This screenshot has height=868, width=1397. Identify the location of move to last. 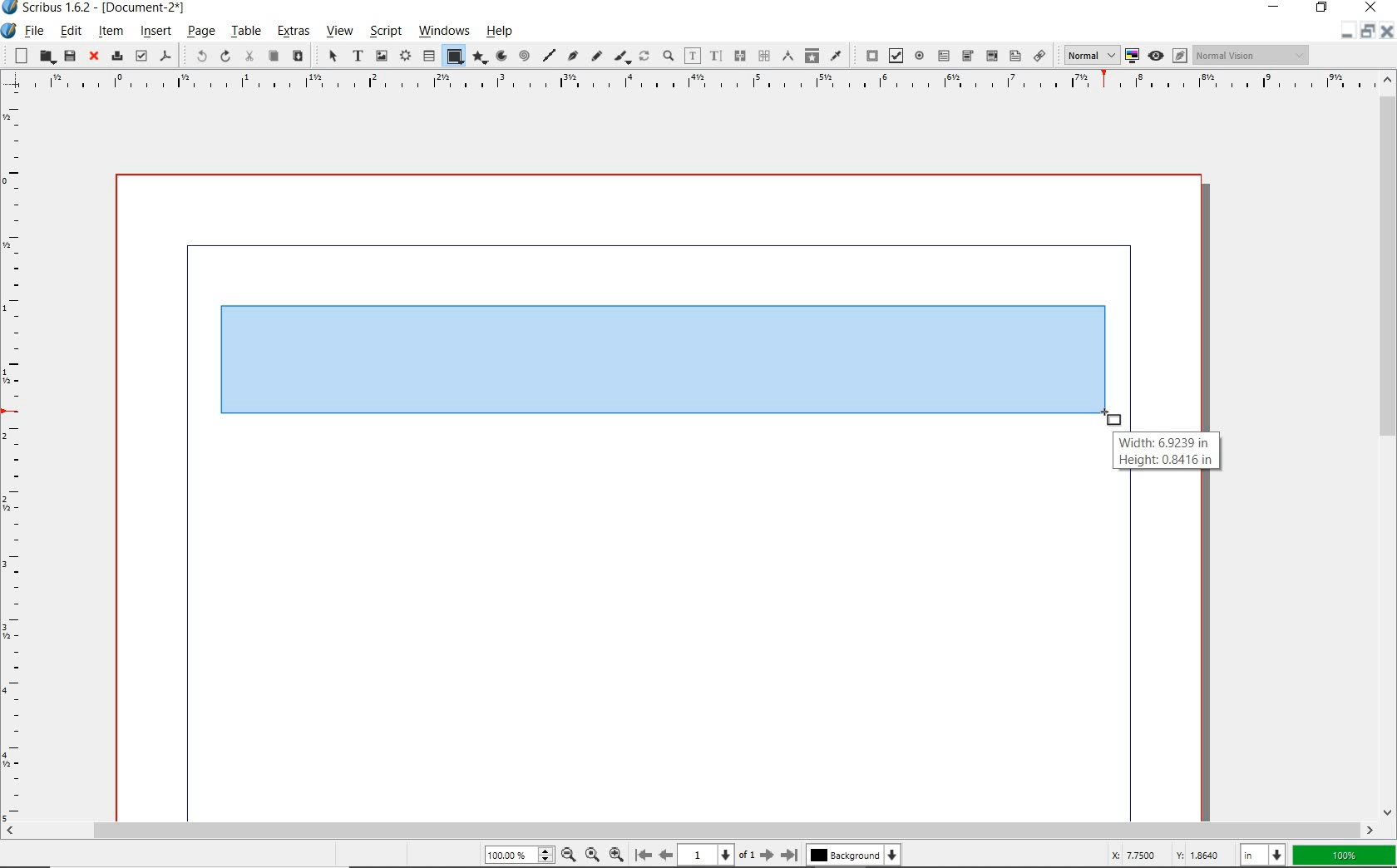
(792, 852).